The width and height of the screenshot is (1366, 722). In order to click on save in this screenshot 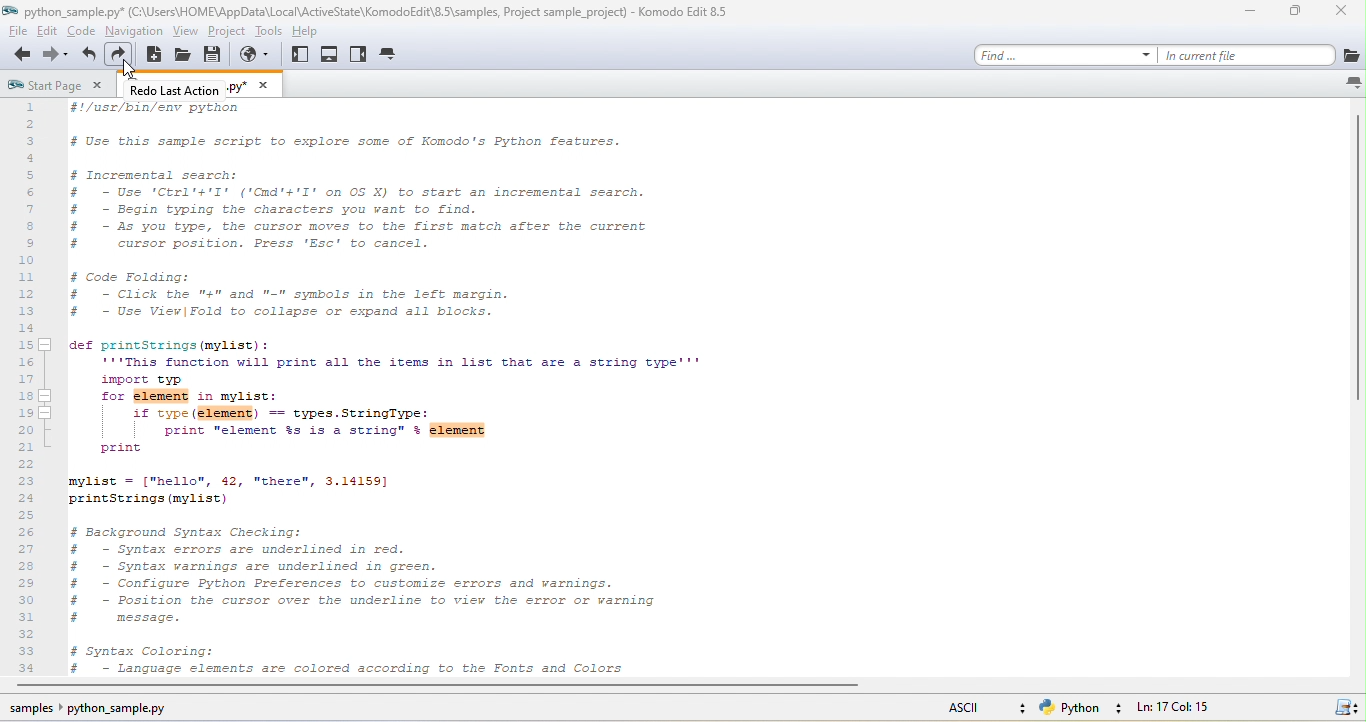, I will do `click(217, 58)`.